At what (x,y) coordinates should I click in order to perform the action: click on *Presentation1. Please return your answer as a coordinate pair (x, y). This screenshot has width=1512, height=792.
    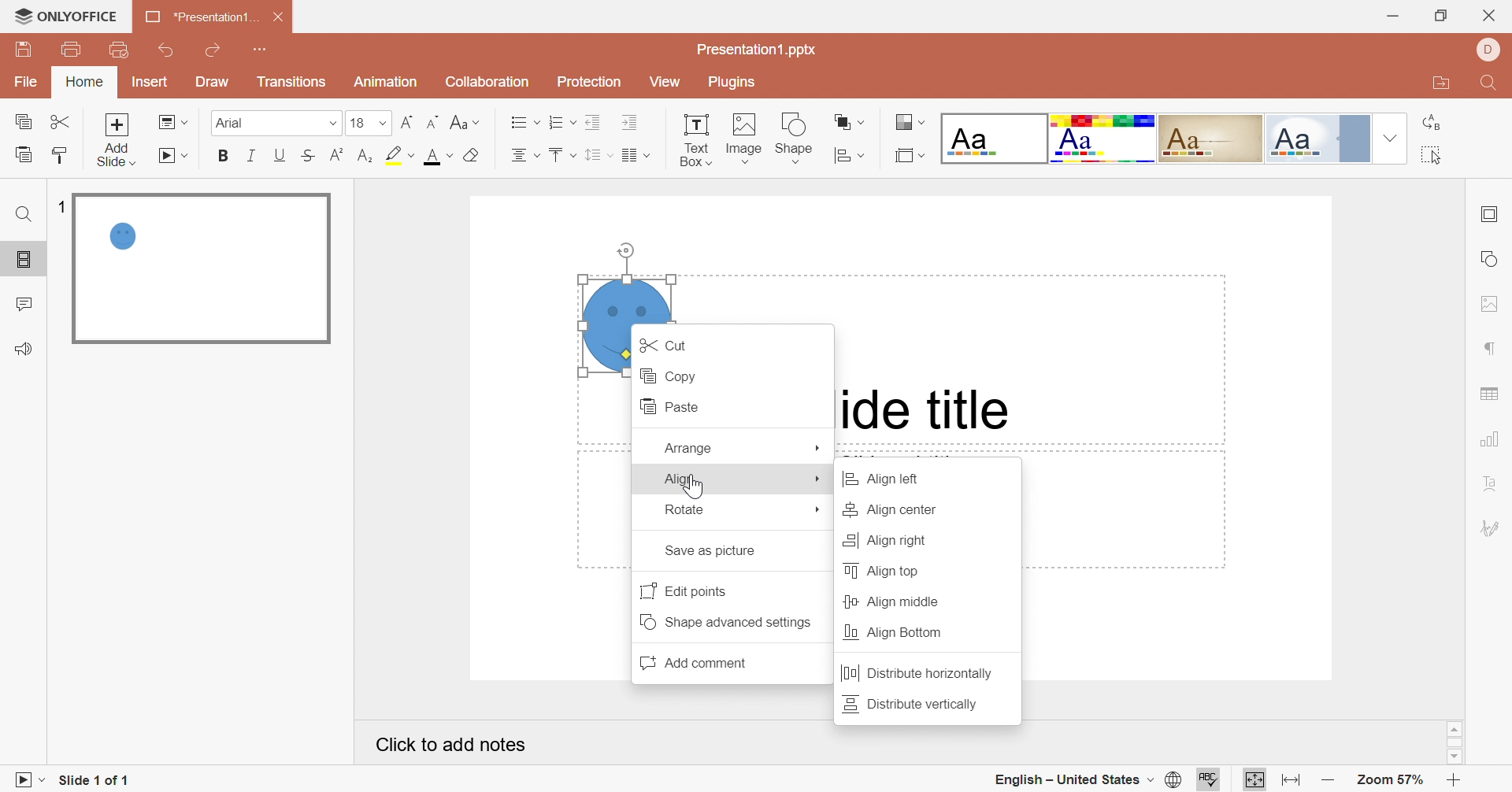
    Looking at the image, I should click on (199, 19).